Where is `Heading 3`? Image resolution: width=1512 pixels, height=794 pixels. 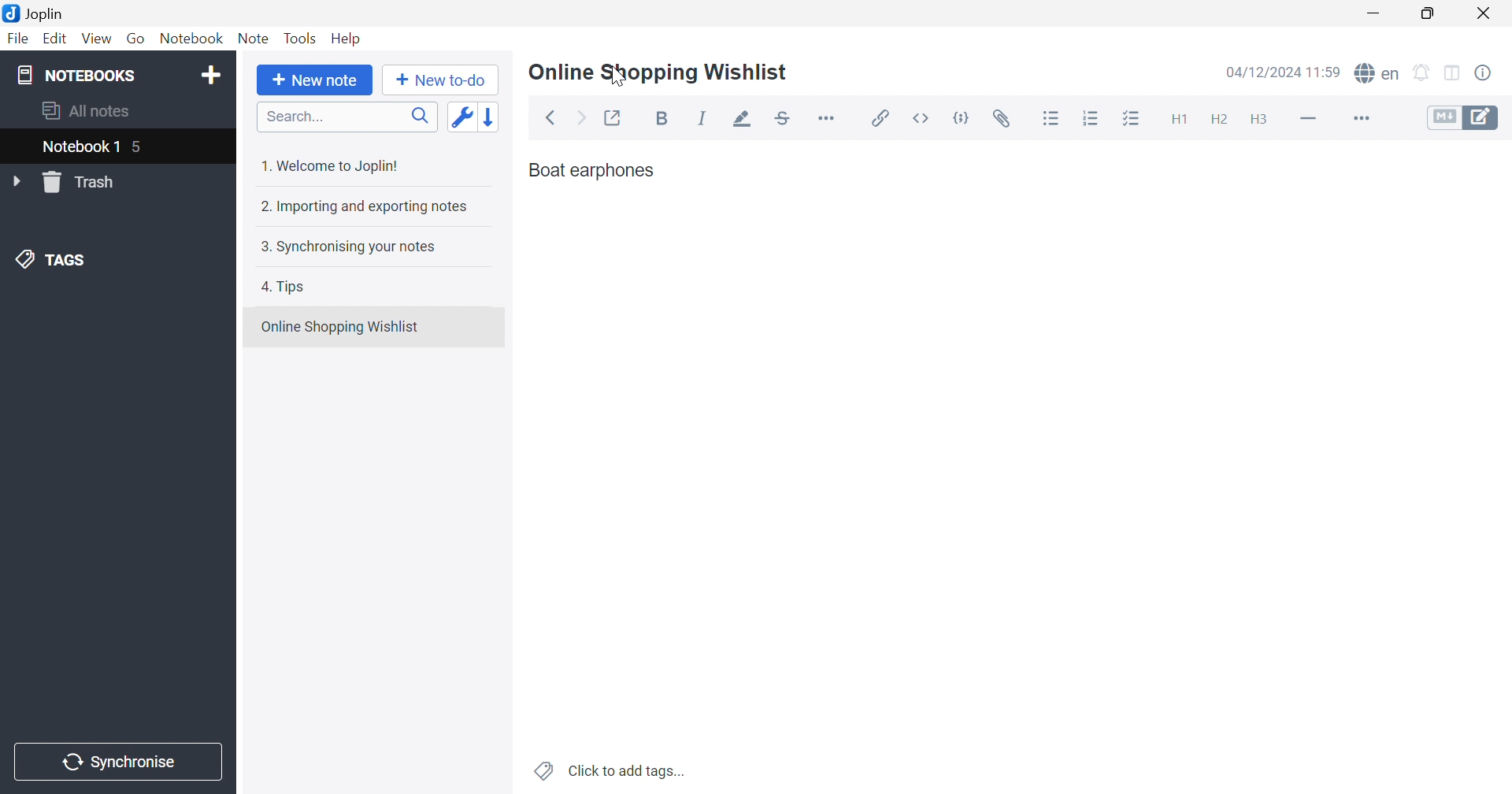 Heading 3 is located at coordinates (1260, 121).